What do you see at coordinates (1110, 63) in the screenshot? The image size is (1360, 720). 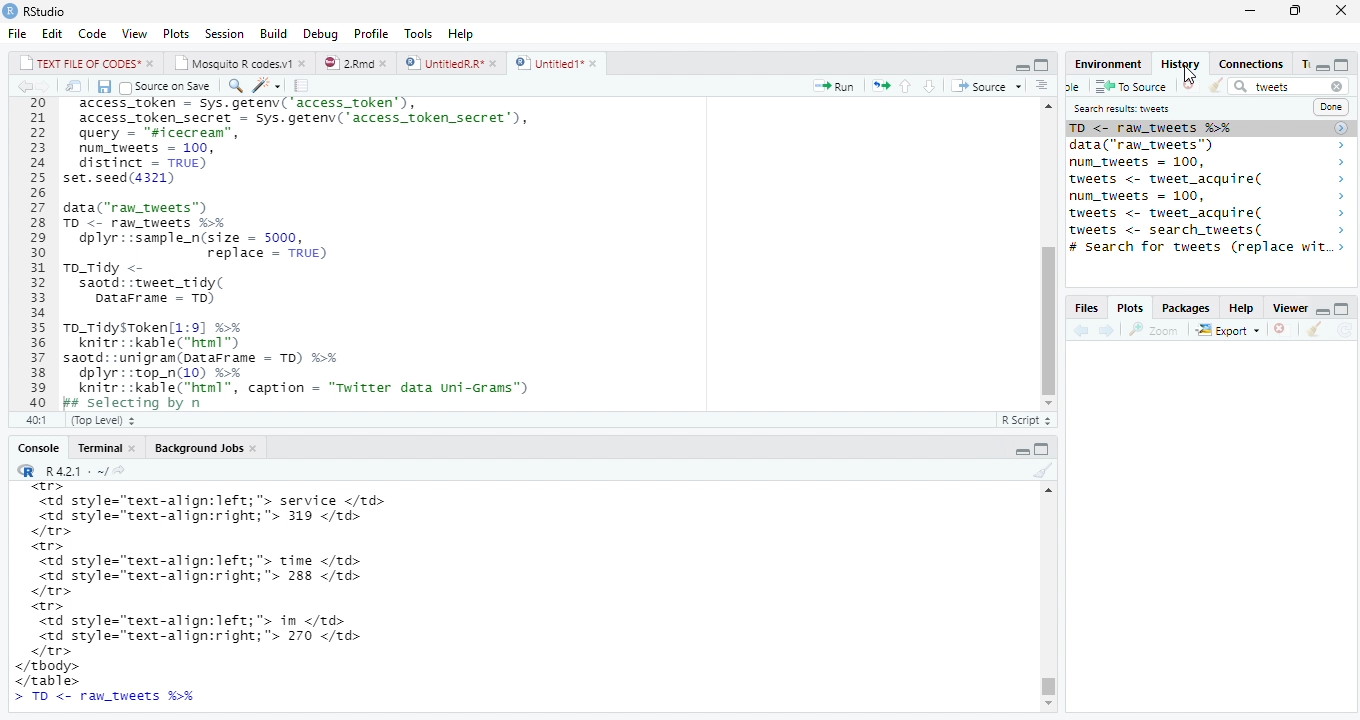 I see `Environment` at bounding box center [1110, 63].